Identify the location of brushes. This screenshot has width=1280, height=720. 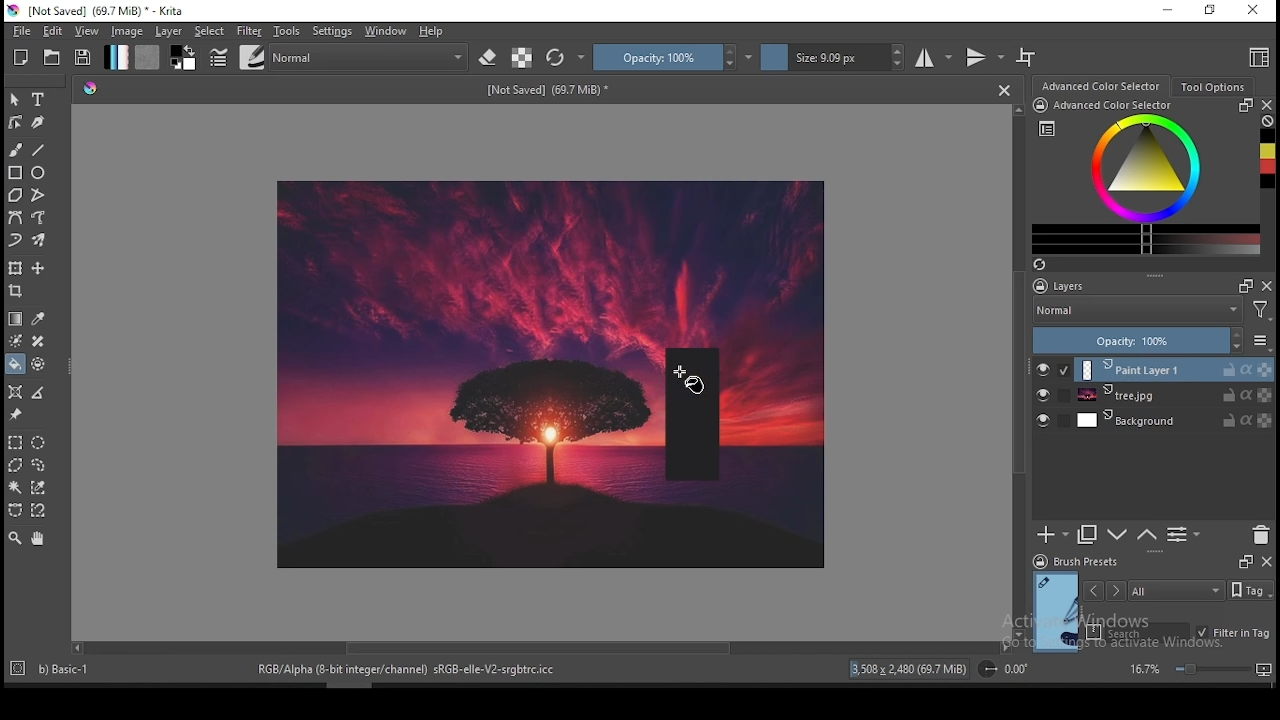
(251, 57).